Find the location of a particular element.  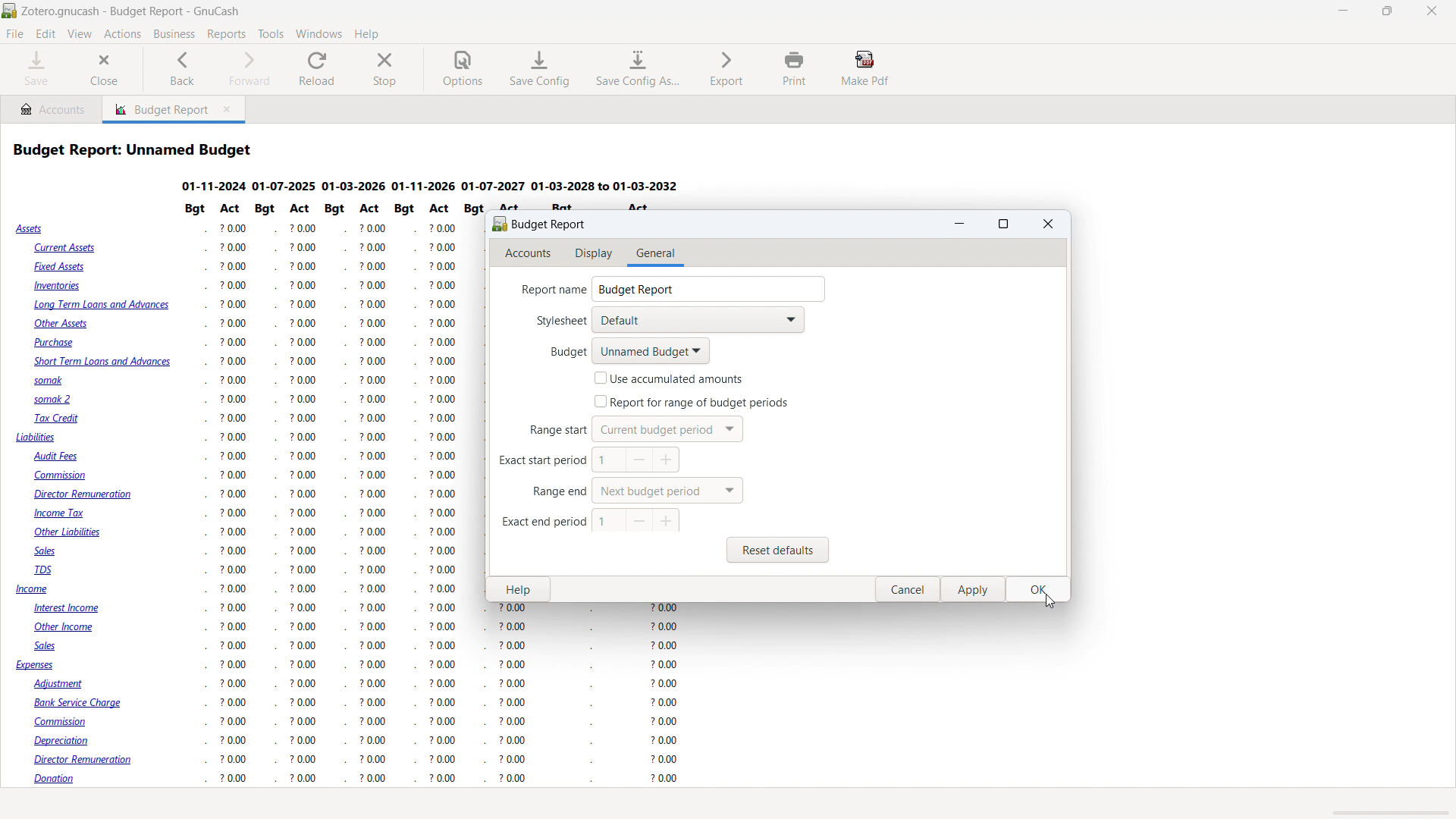

make pdf is located at coordinates (866, 68).